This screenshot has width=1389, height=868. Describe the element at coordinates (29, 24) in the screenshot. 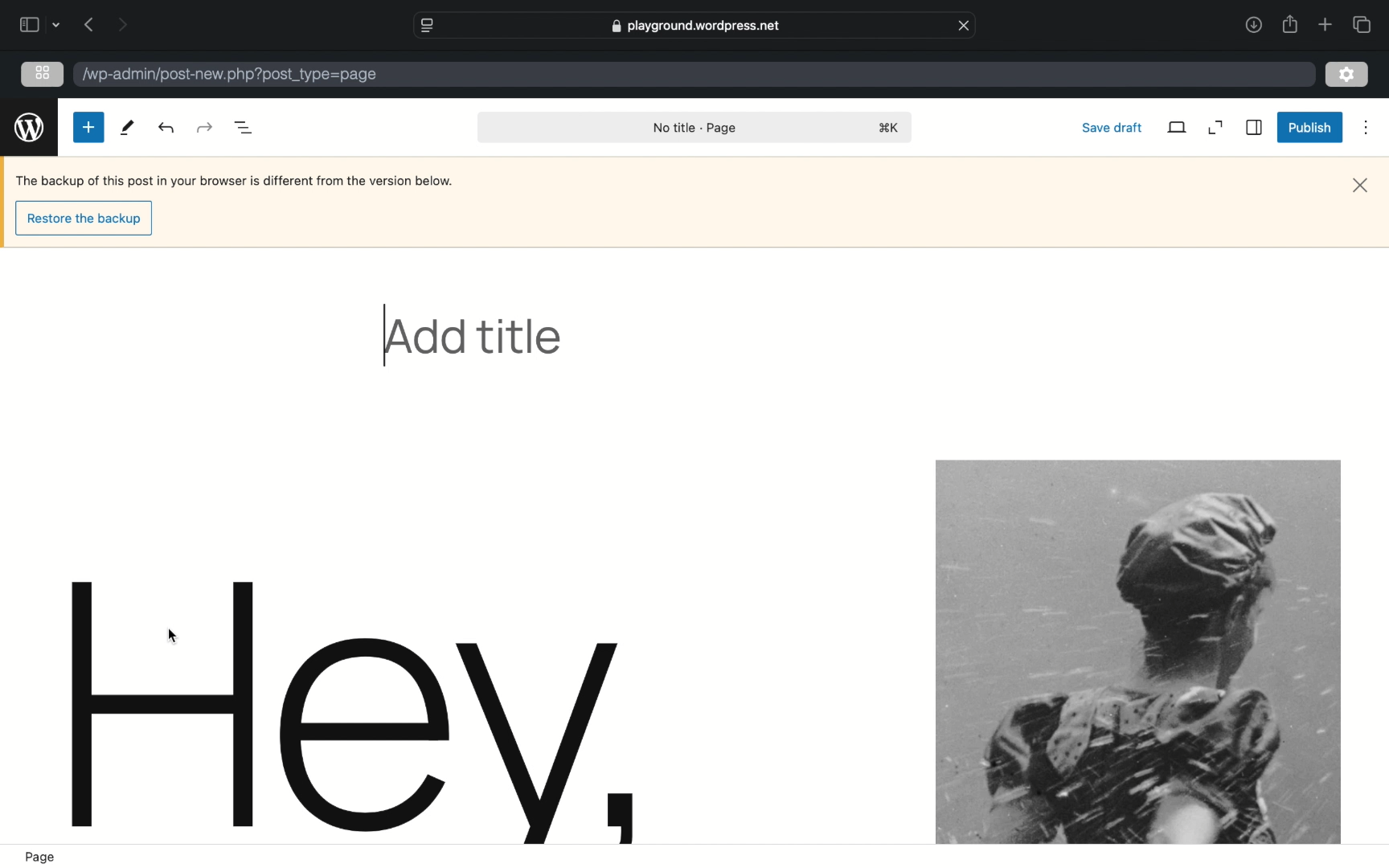

I see `sidebar` at that location.